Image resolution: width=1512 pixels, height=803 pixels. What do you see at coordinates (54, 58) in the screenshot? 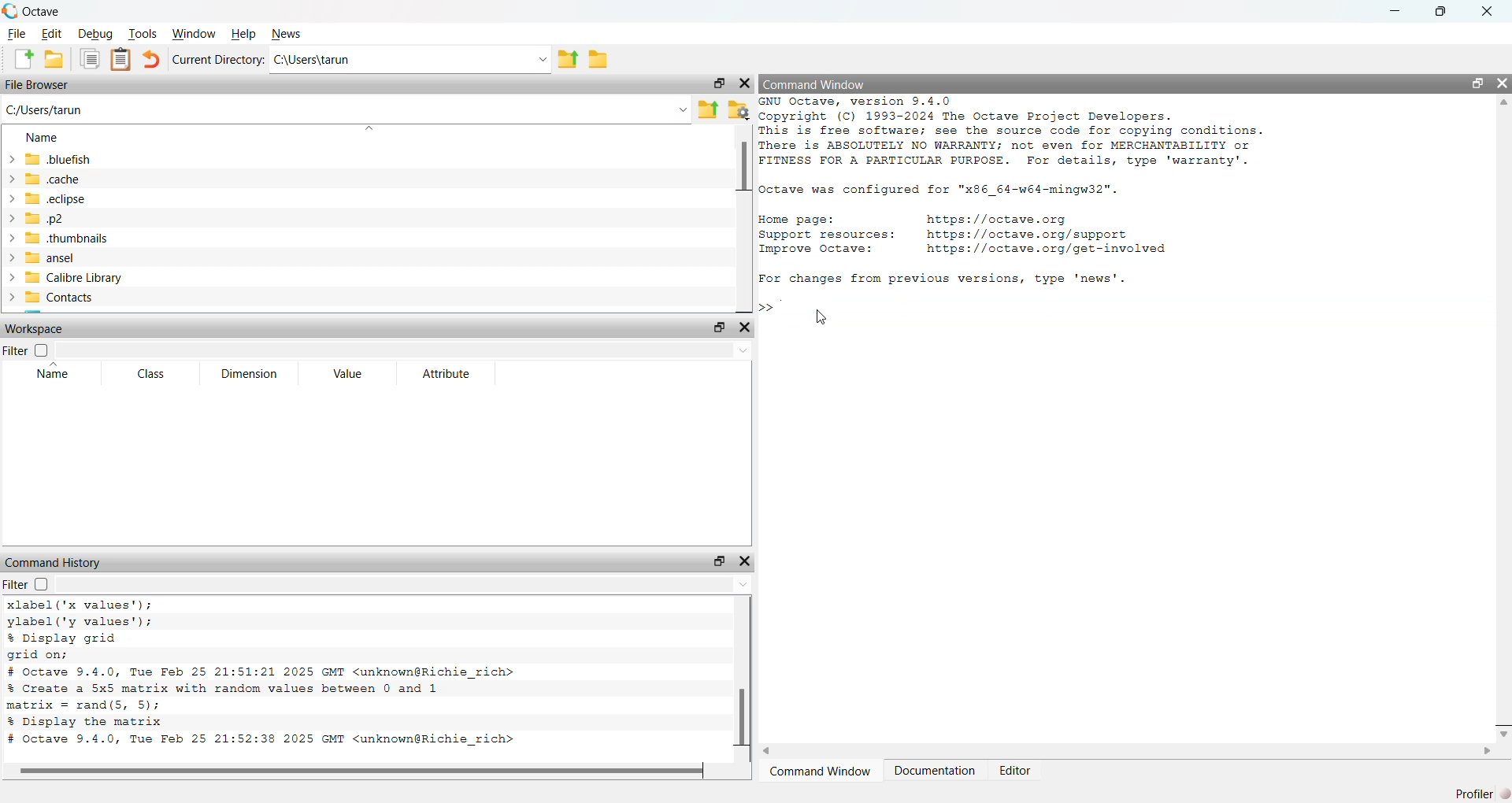
I see `save` at bounding box center [54, 58].